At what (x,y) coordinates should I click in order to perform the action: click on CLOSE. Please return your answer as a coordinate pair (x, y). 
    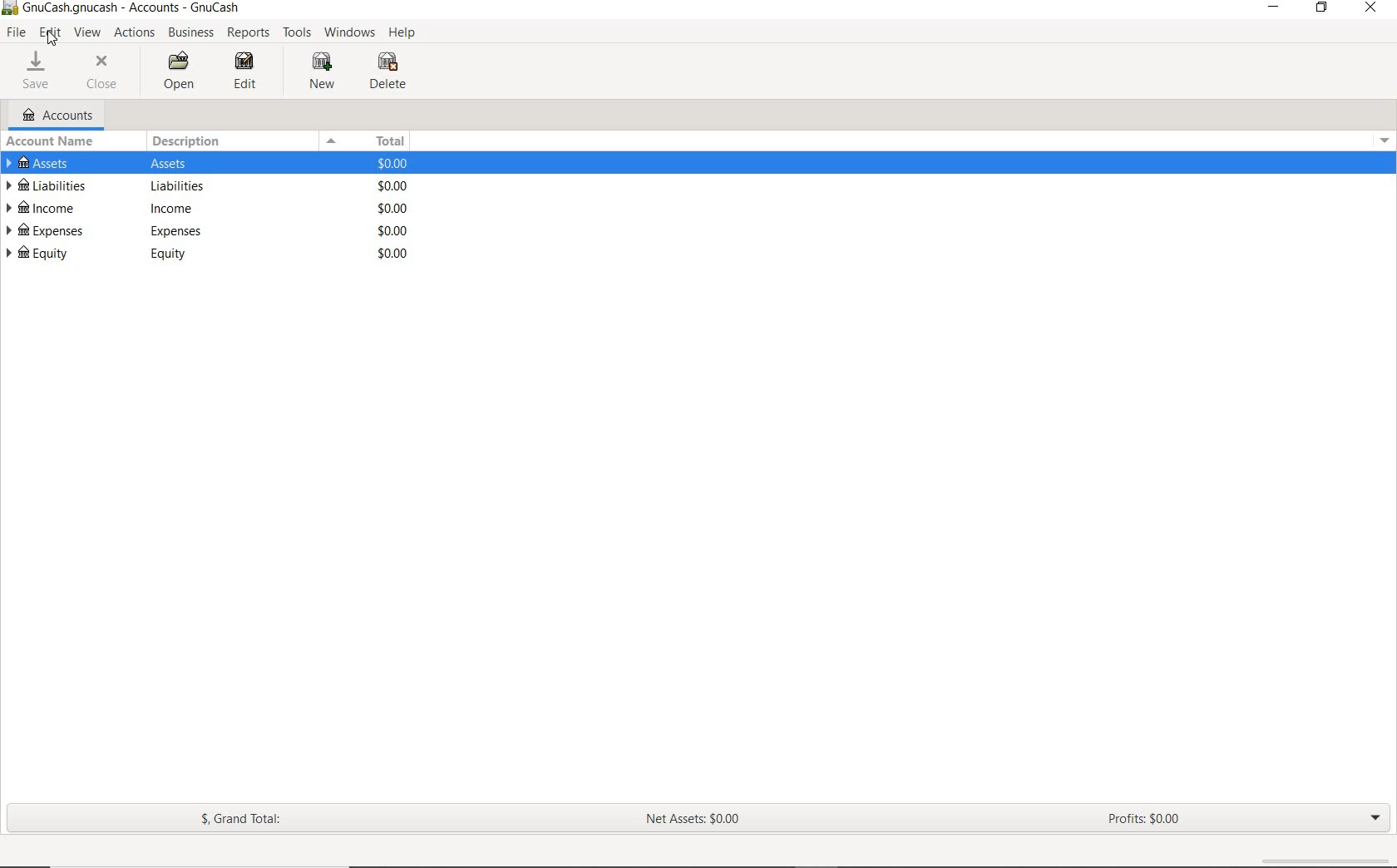
    Looking at the image, I should click on (106, 72).